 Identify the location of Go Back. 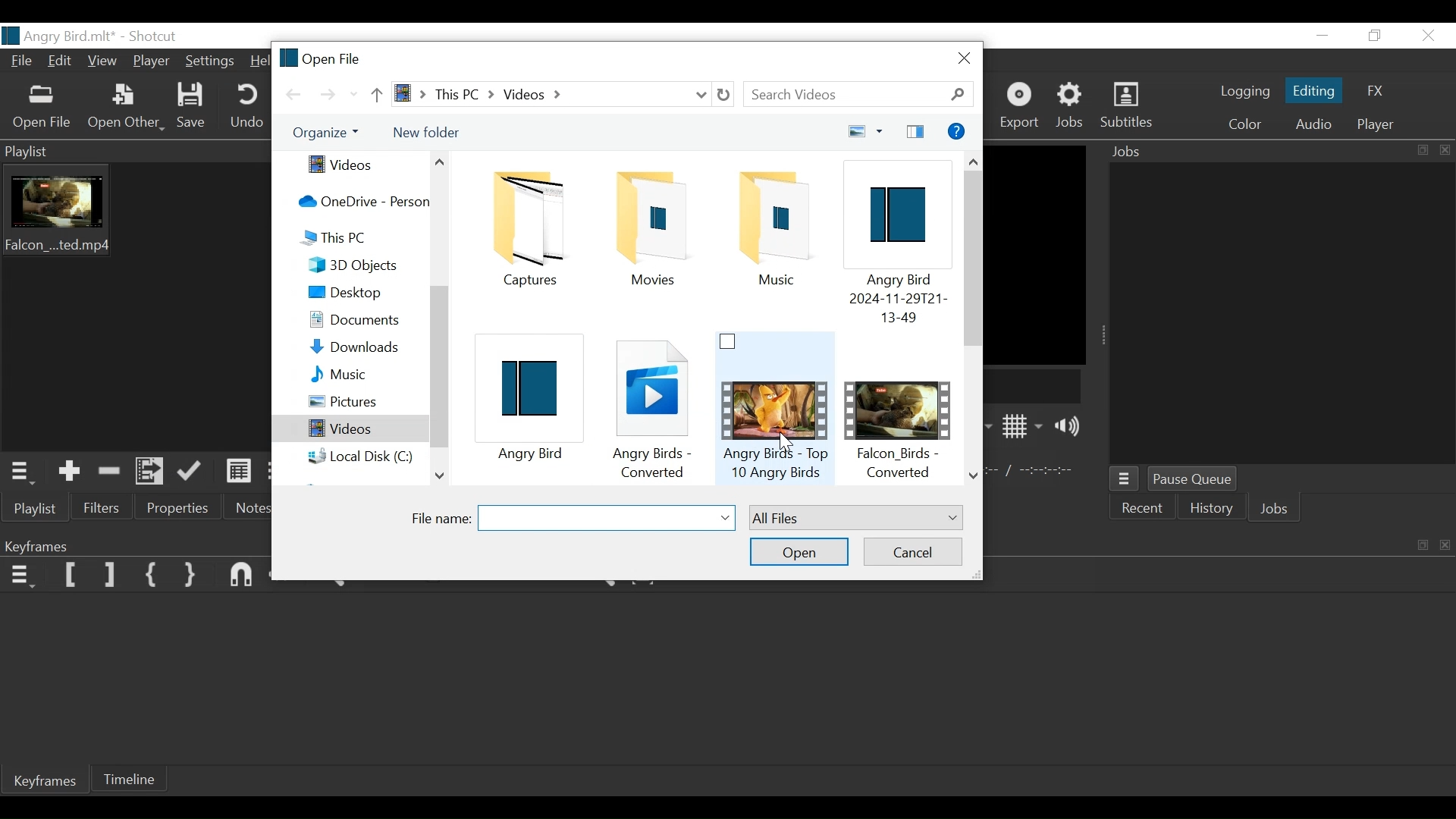
(298, 94).